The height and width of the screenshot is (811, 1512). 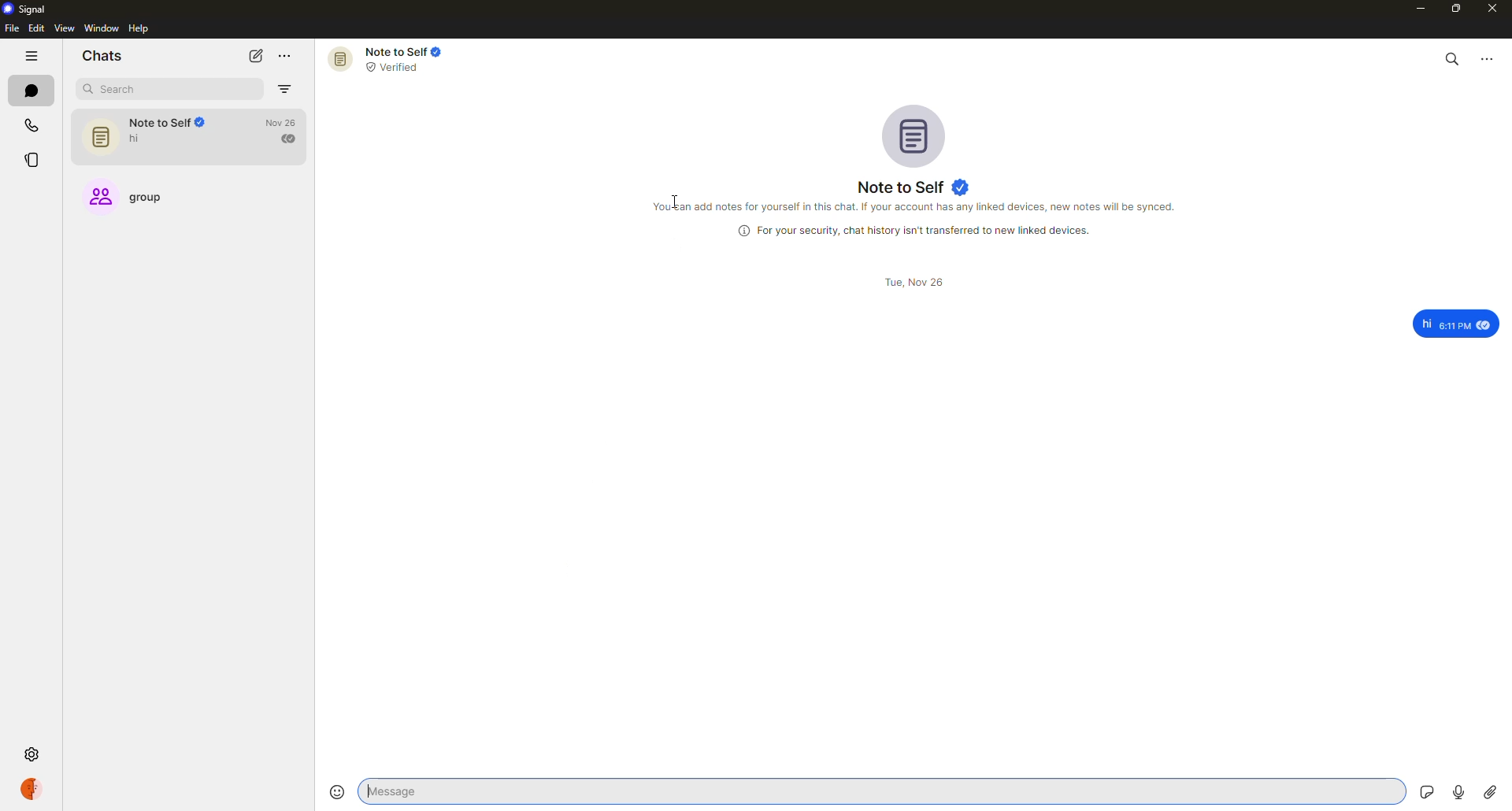 I want to click on calls, so click(x=31, y=125).